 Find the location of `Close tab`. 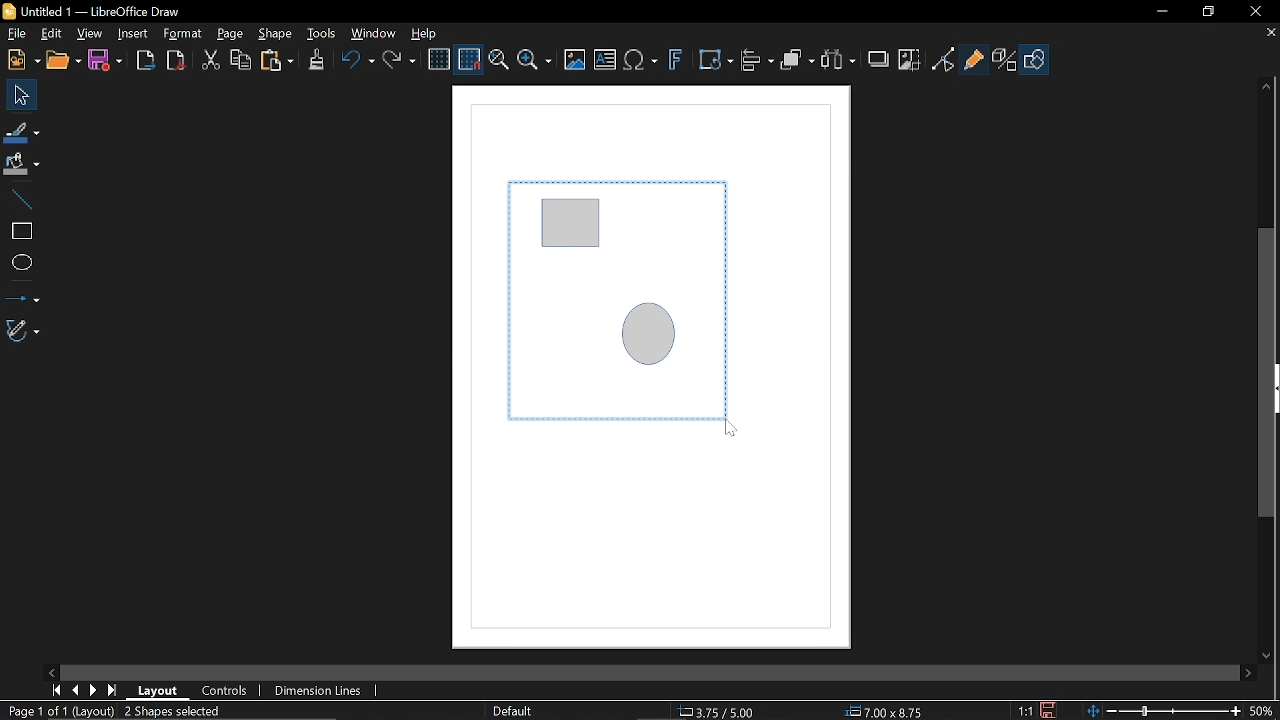

Close tab is located at coordinates (1270, 32).